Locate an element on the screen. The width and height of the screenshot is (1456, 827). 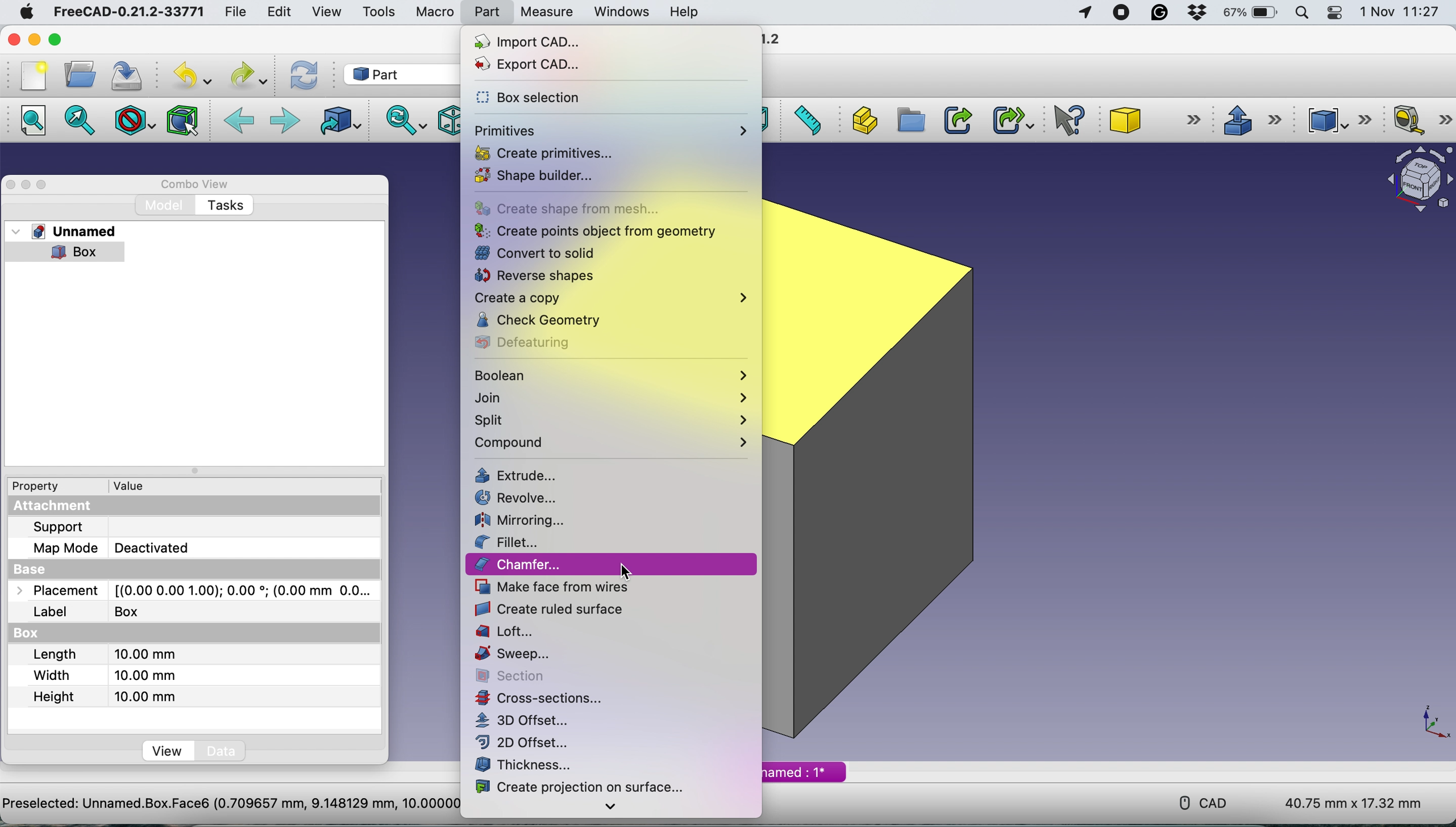
check geometry is located at coordinates (550, 319).